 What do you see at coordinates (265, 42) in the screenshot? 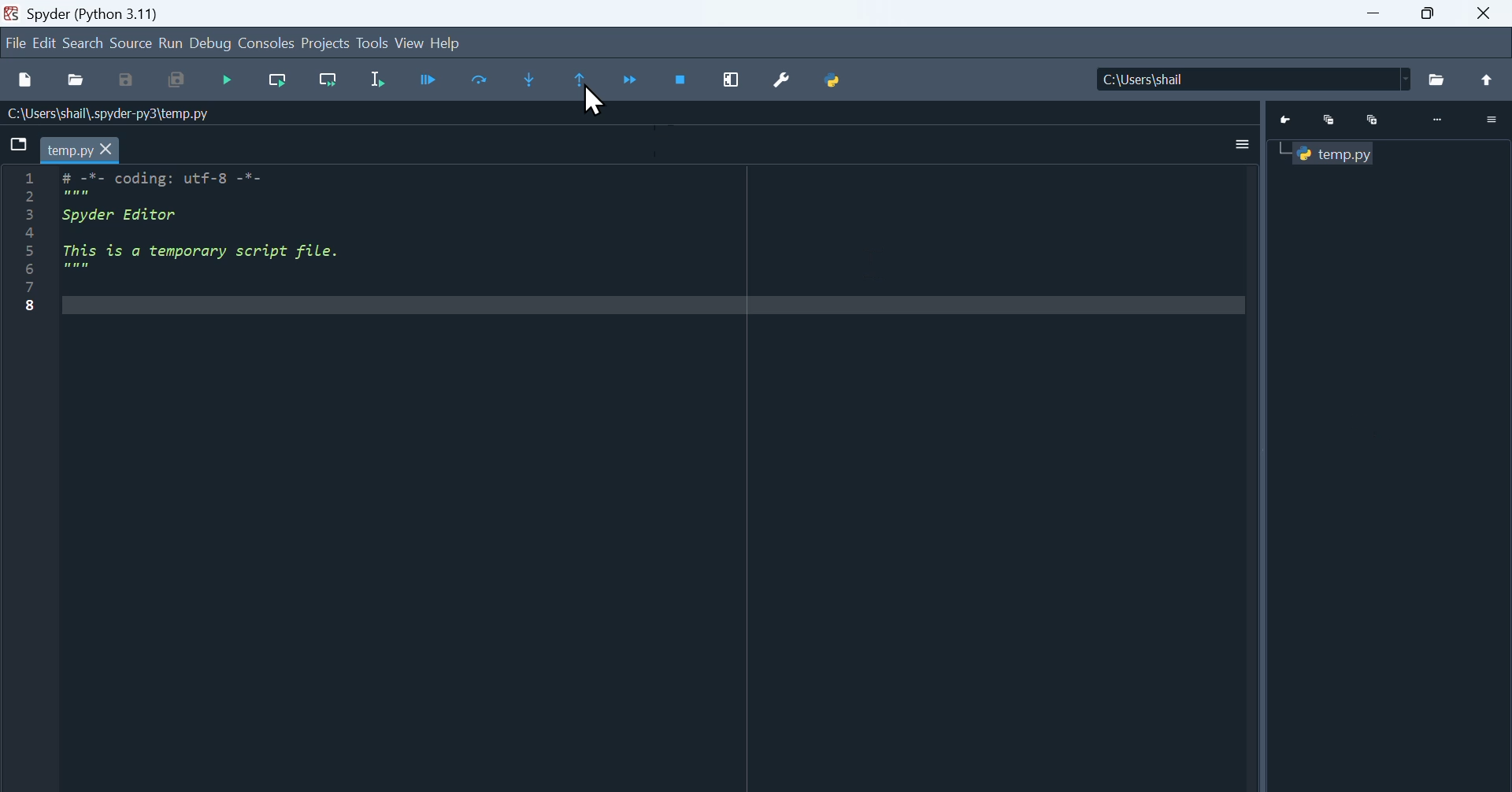
I see `Consoles` at bounding box center [265, 42].